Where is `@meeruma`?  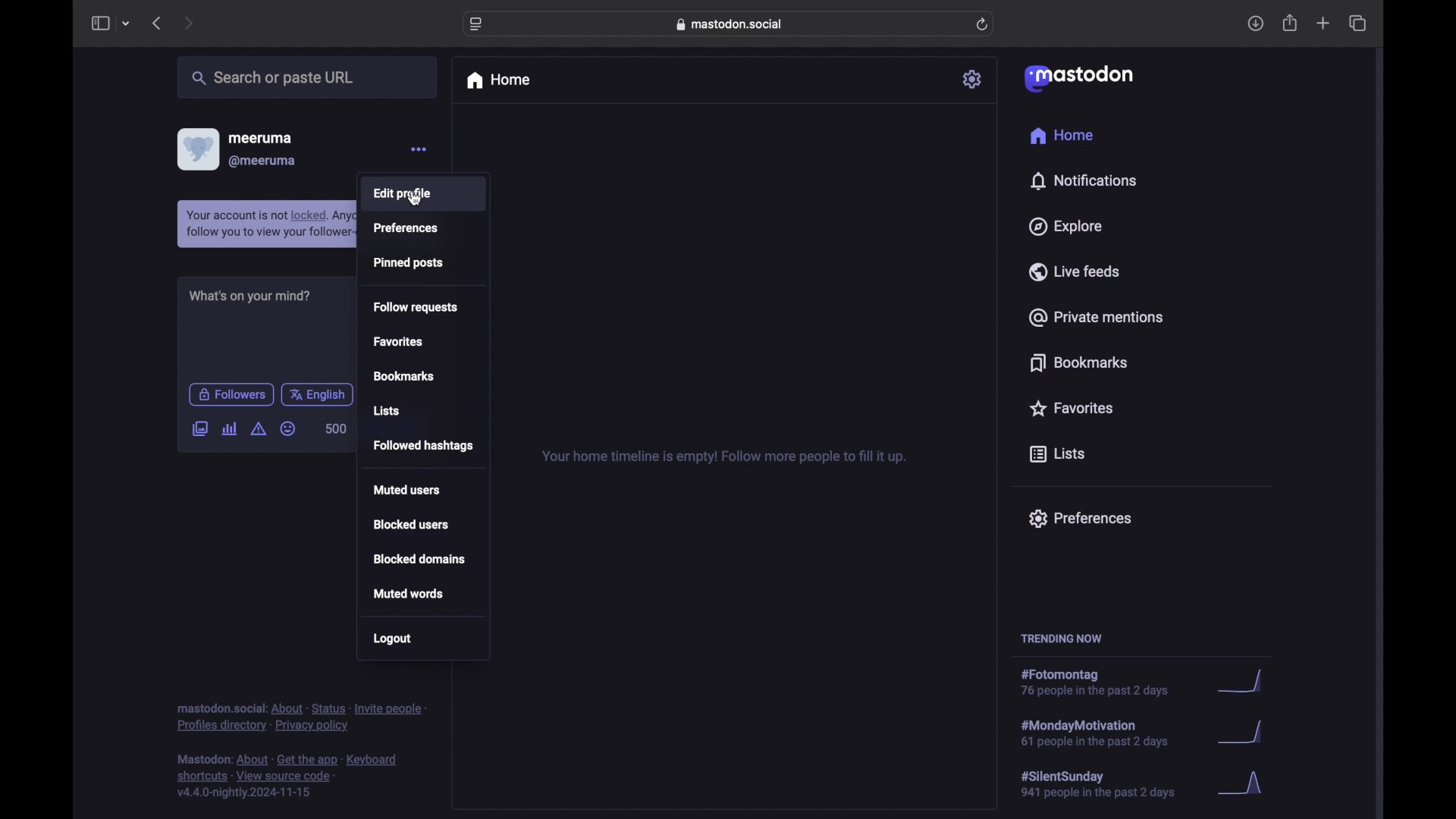 @meeruma is located at coordinates (263, 162).